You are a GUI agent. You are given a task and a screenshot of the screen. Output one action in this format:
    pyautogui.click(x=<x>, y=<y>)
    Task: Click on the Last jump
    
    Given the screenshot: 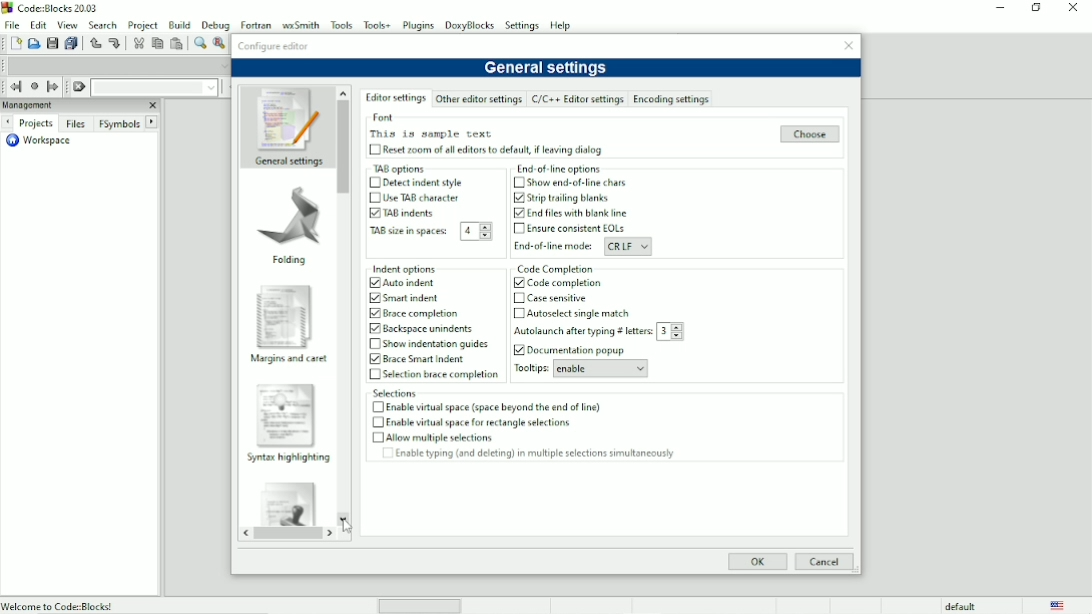 What is the action you would take?
    pyautogui.click(x=33, y=86)
    